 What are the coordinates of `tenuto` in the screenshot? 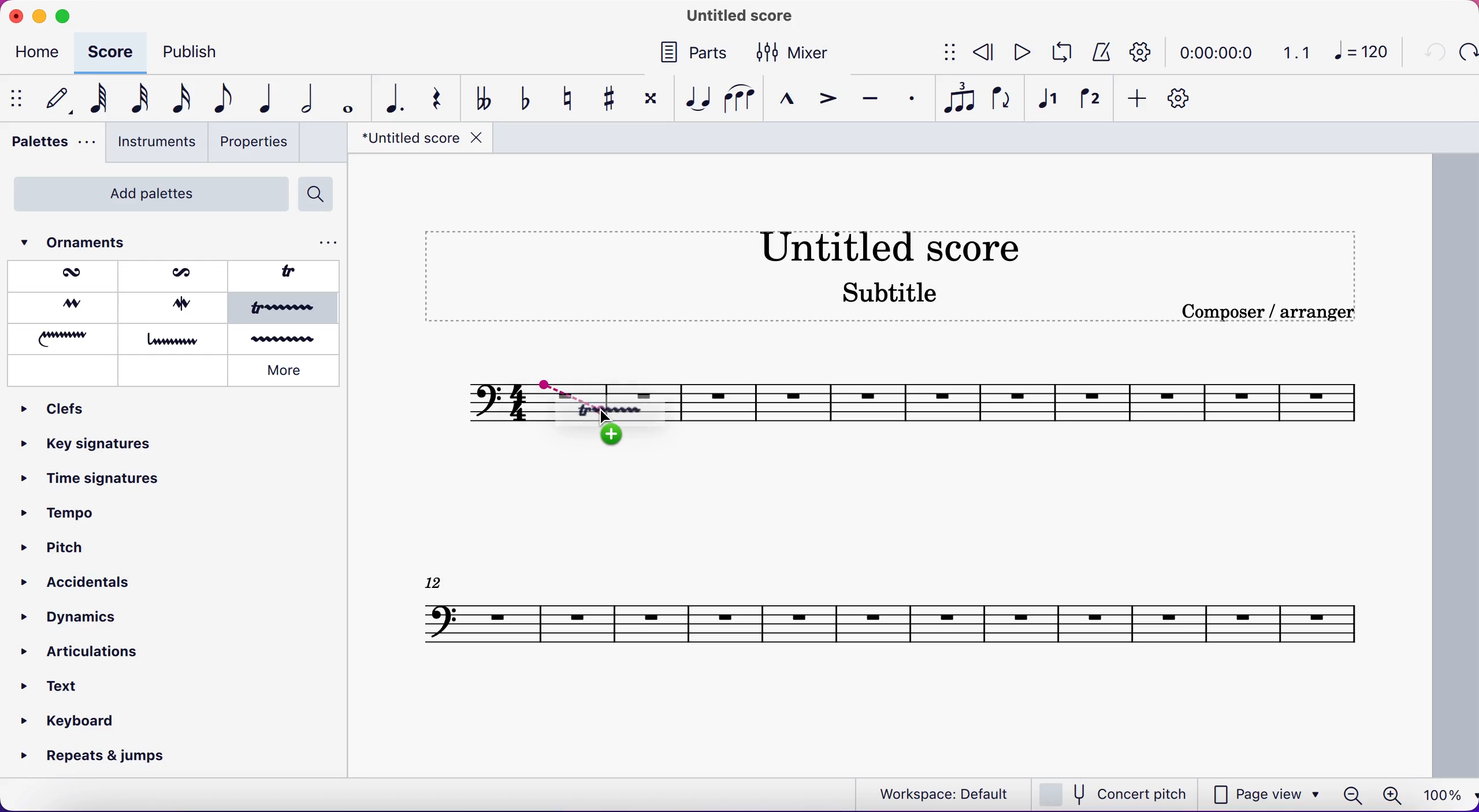 It's located at (872, 98).